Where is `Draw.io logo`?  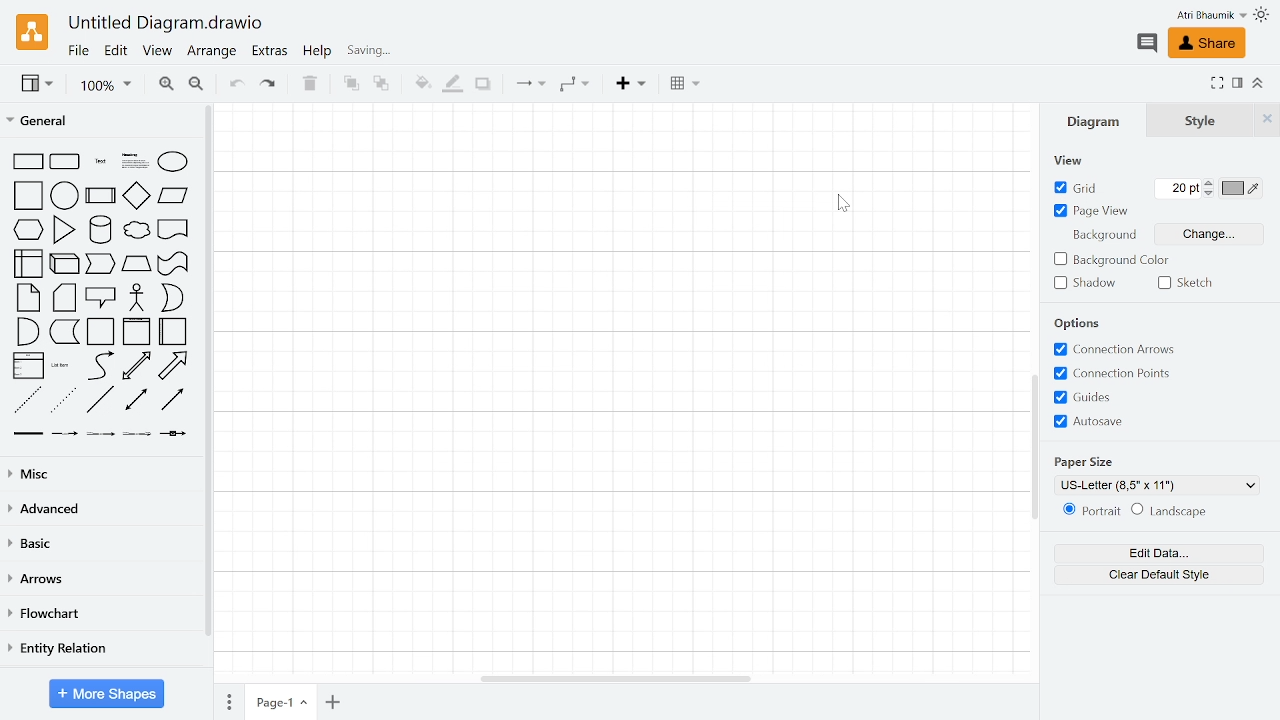 Draw.io logo is located at coordinates (30, 31).